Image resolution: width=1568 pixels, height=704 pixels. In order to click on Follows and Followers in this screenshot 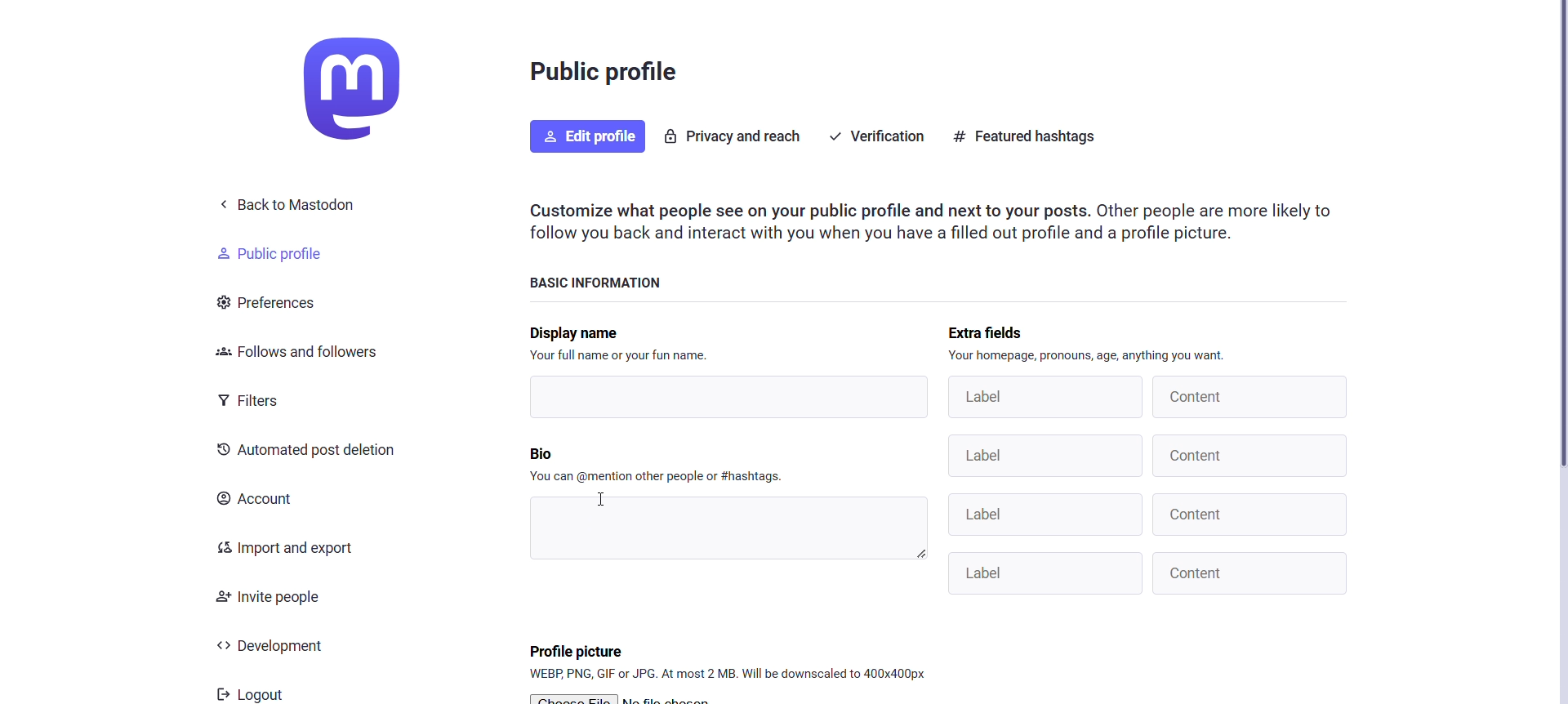, I will do `click(295, 354)`.